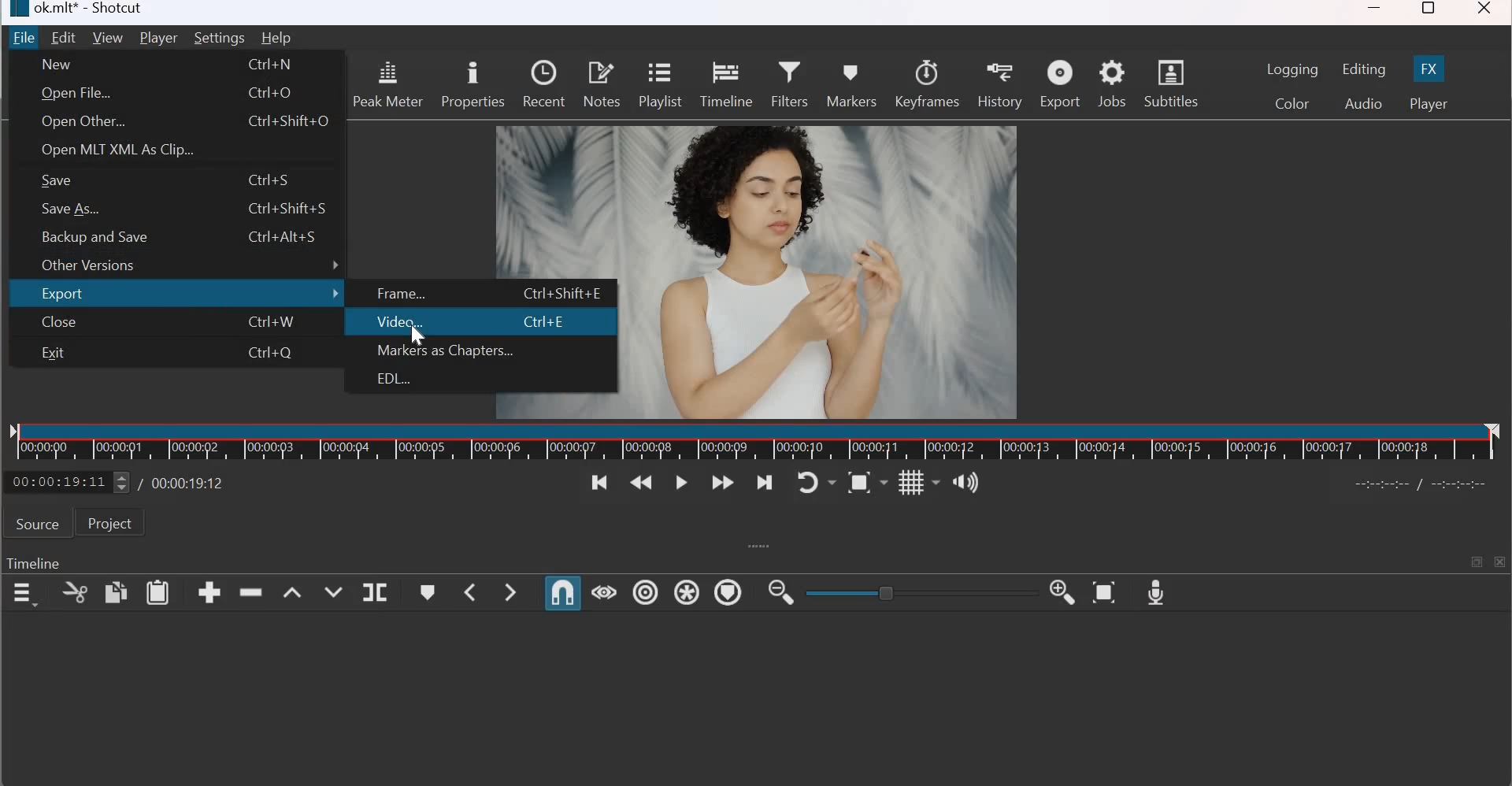 The width and height of the screenshot is (1512, 786). Describe the element at coordinates (1293, 103) in the screenshot. I see `Color` at that location.